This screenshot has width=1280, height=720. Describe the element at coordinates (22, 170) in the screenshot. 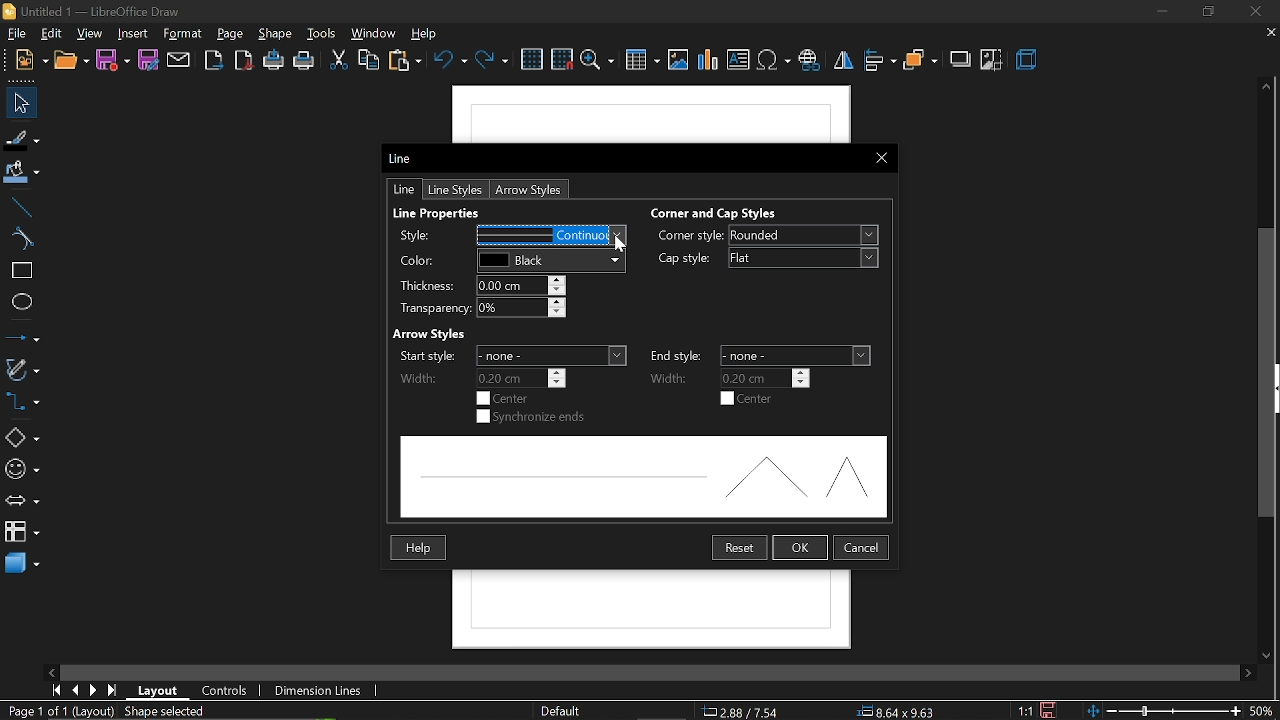

I see `fill color` at that location.